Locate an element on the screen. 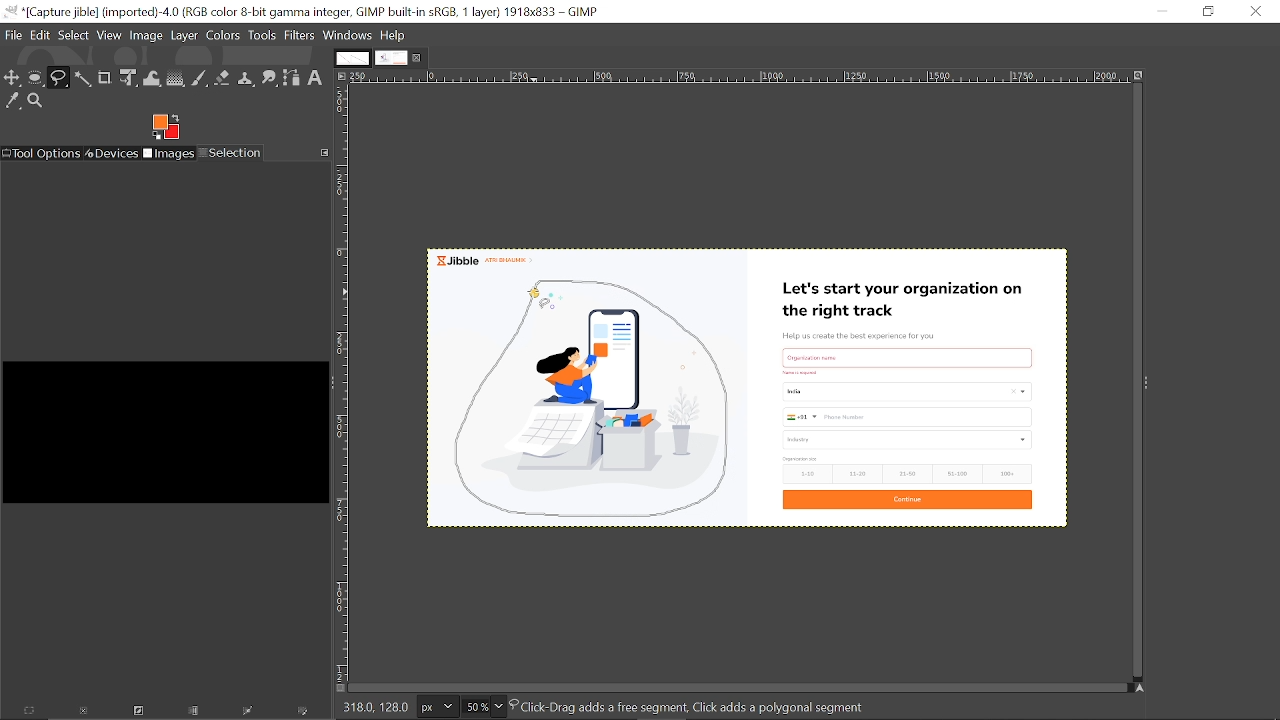  Crop tool is located at coordinates (104, 78).